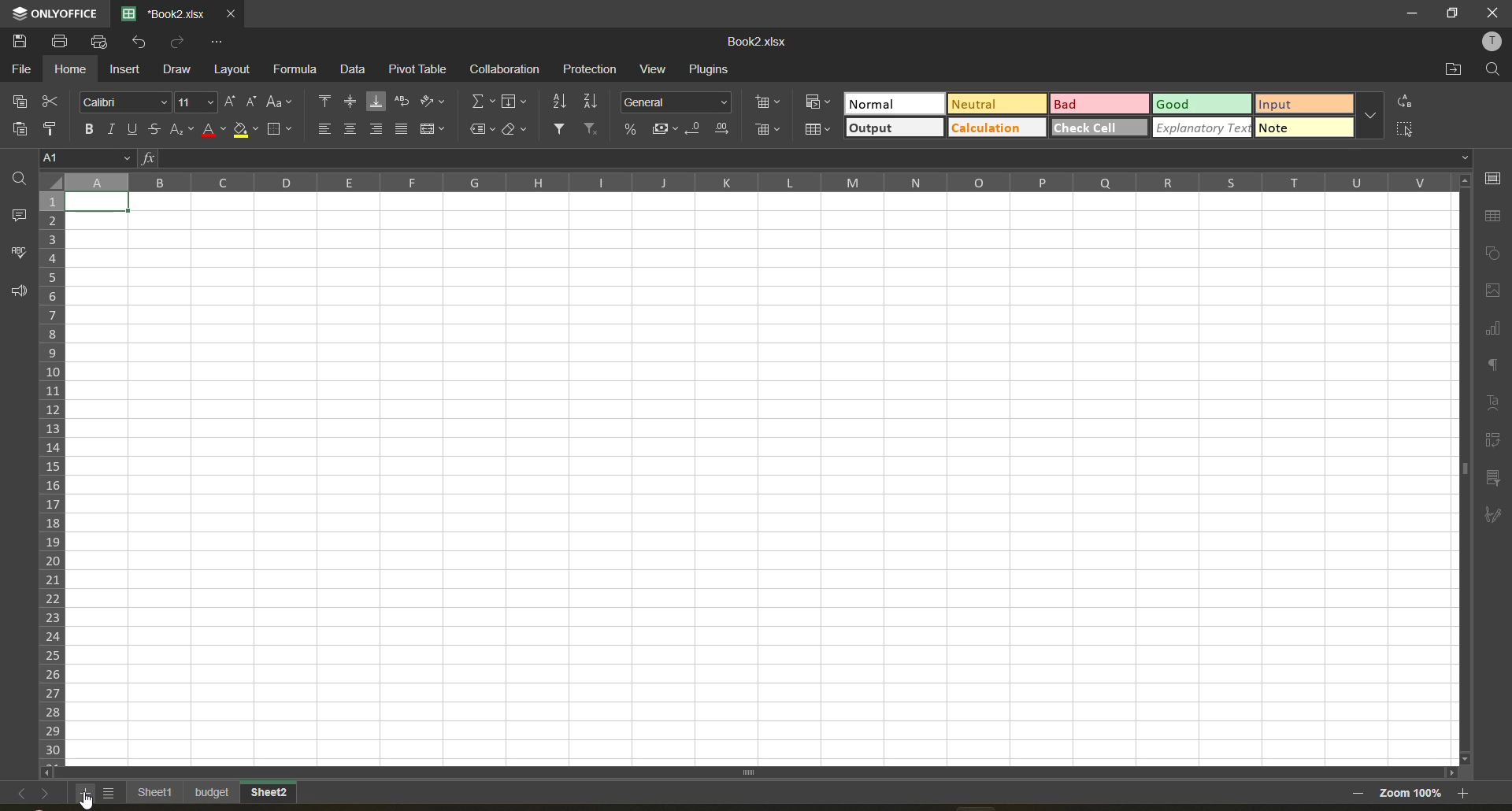 This screenshot has width=1512, height=811. Describe the element at coordinates (432, 102) in the screenshot. I see `orientation` at that location.